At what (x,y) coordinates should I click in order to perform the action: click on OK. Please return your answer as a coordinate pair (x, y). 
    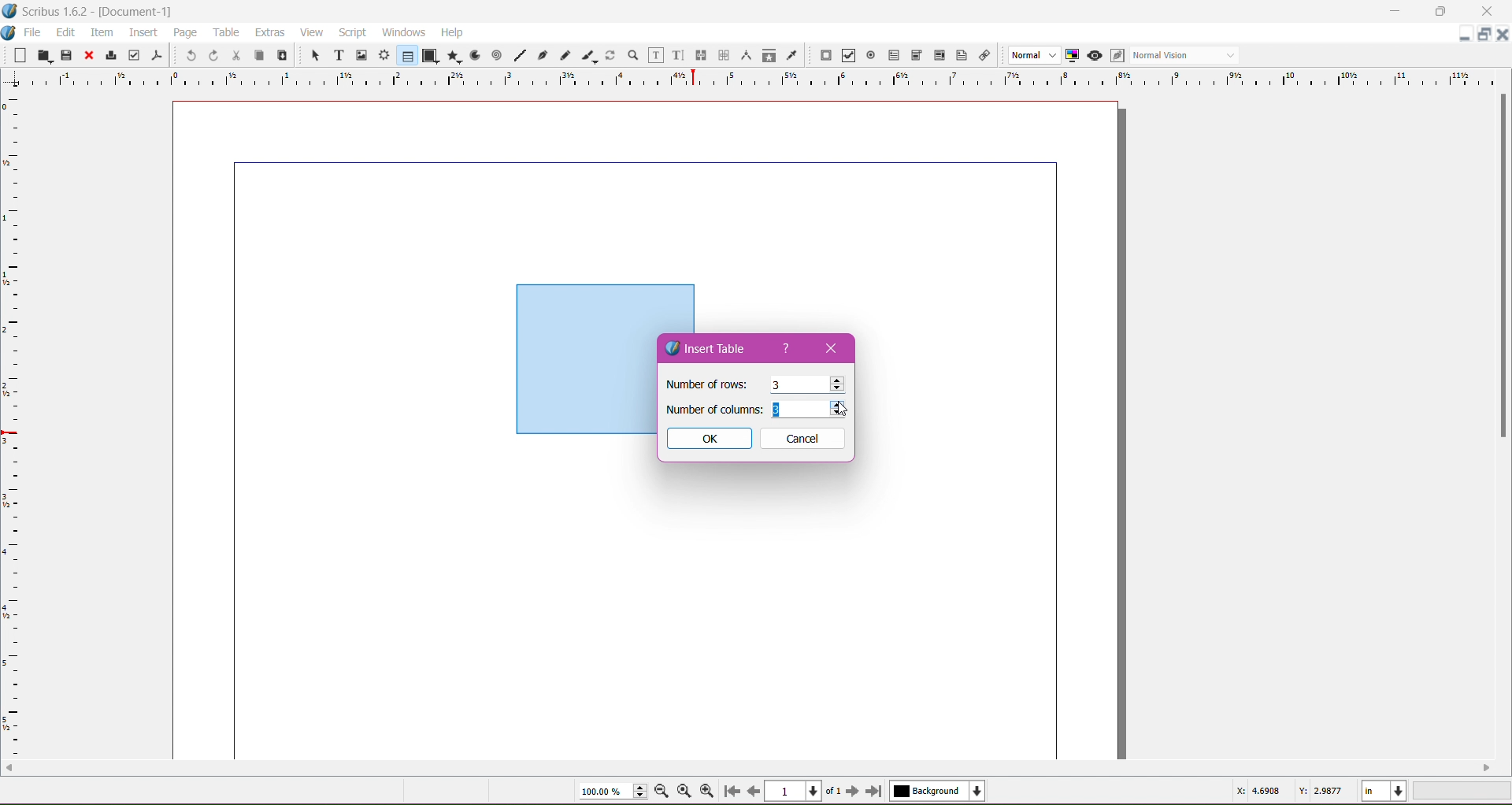
    Looking at the image, I should click on (708, 439).